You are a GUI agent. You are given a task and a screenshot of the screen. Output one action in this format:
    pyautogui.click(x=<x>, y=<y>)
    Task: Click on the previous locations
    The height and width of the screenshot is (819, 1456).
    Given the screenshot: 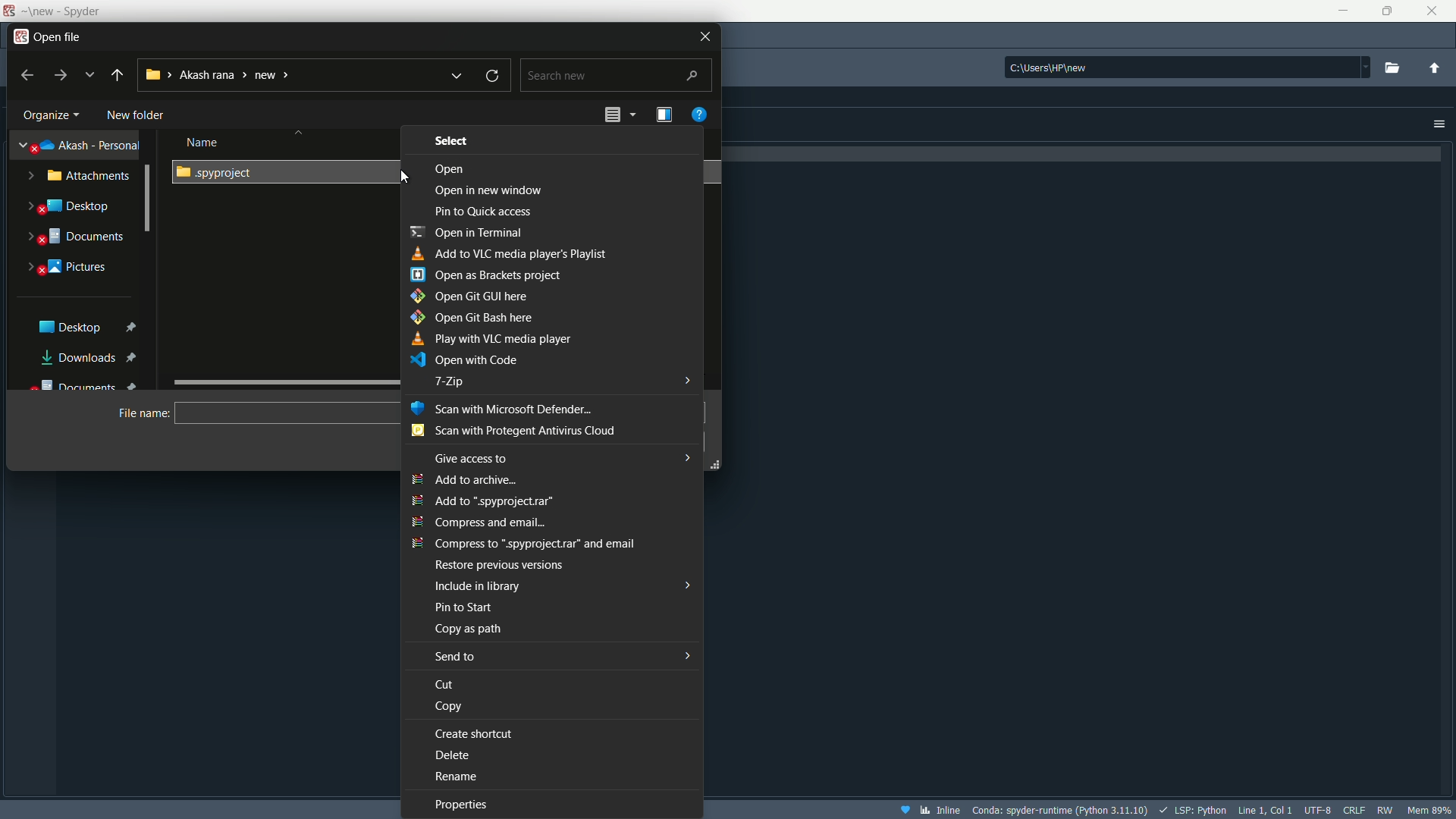 What is the action you would take?
    pyautogui.click(x=460, y=78)
    